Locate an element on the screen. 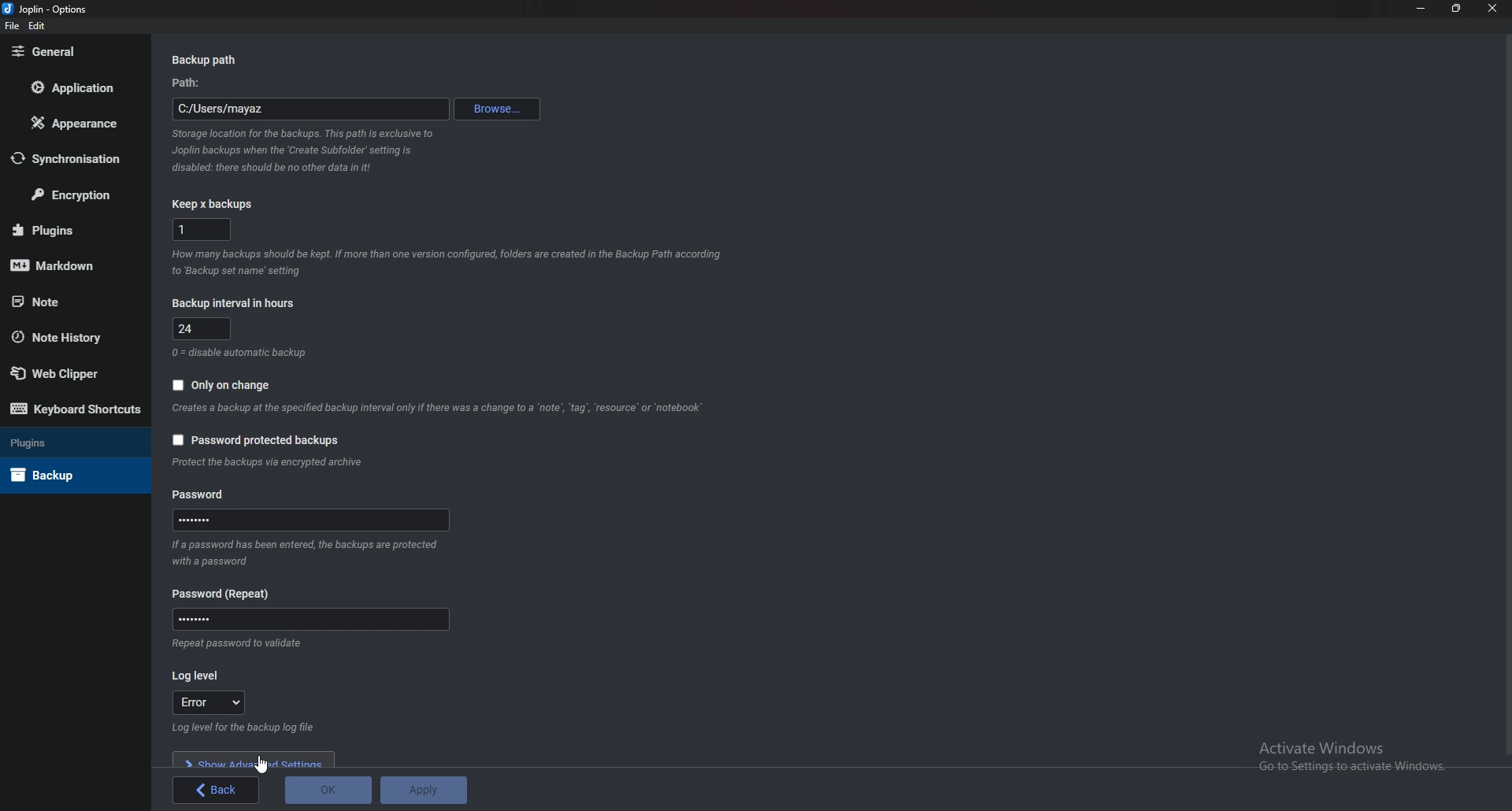  Password is located at coordinates (309, 619).